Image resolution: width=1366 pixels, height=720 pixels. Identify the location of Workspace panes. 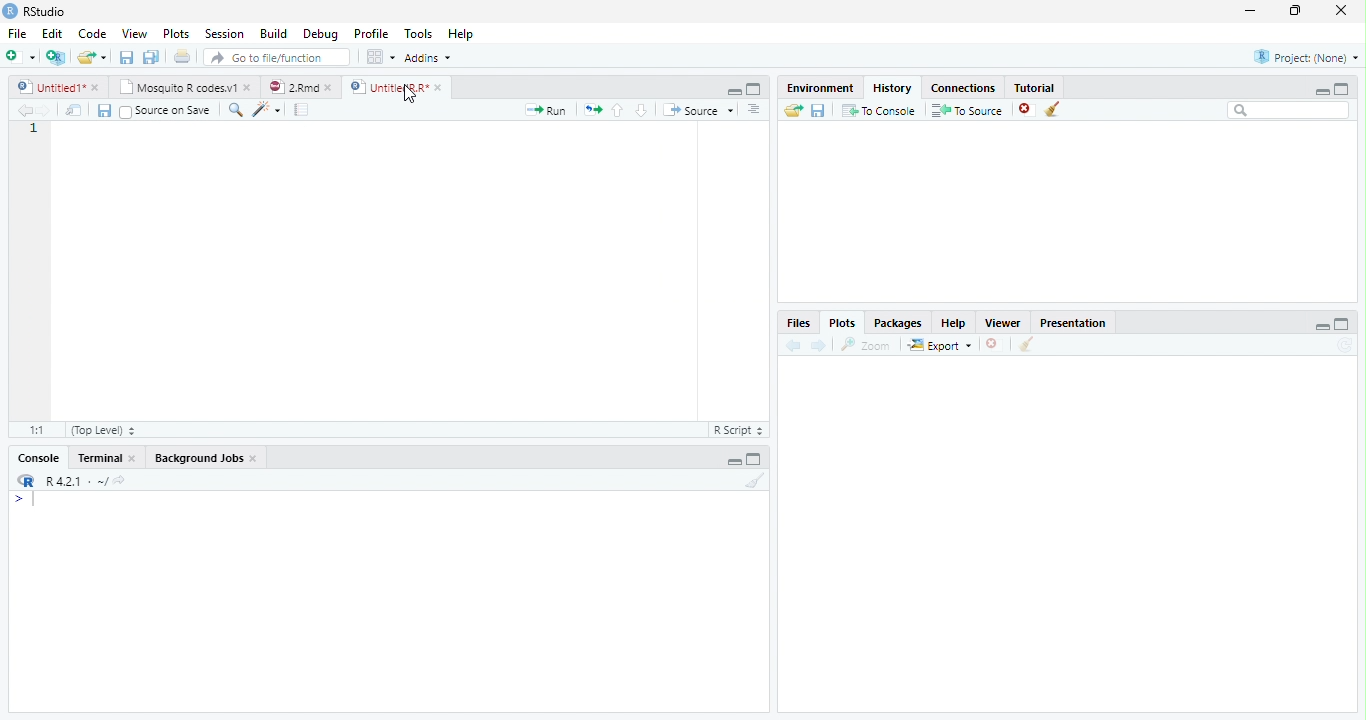
(378, 56).